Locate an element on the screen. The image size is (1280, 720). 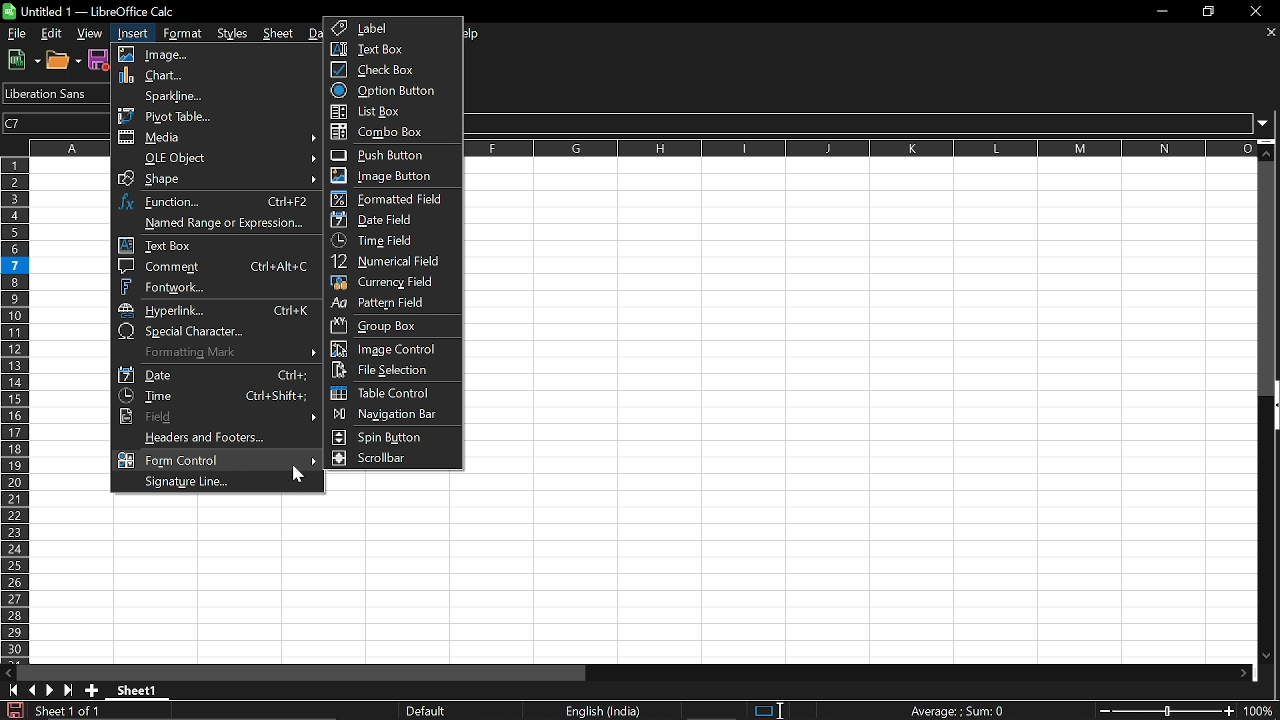
Formatted field is located at coordinates (390, 198).